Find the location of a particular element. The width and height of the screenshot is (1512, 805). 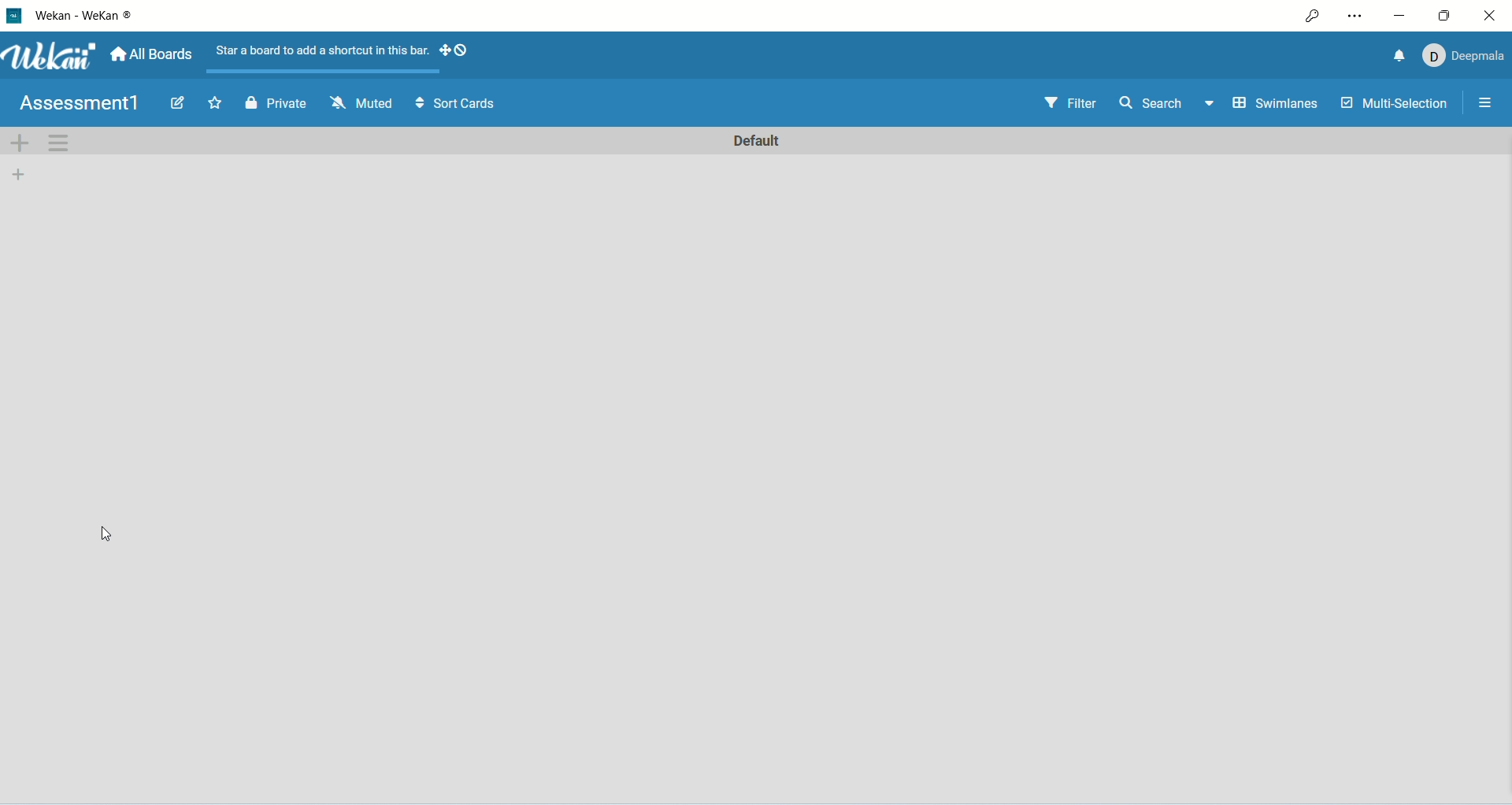

logo is located at coordinates (14, 17).